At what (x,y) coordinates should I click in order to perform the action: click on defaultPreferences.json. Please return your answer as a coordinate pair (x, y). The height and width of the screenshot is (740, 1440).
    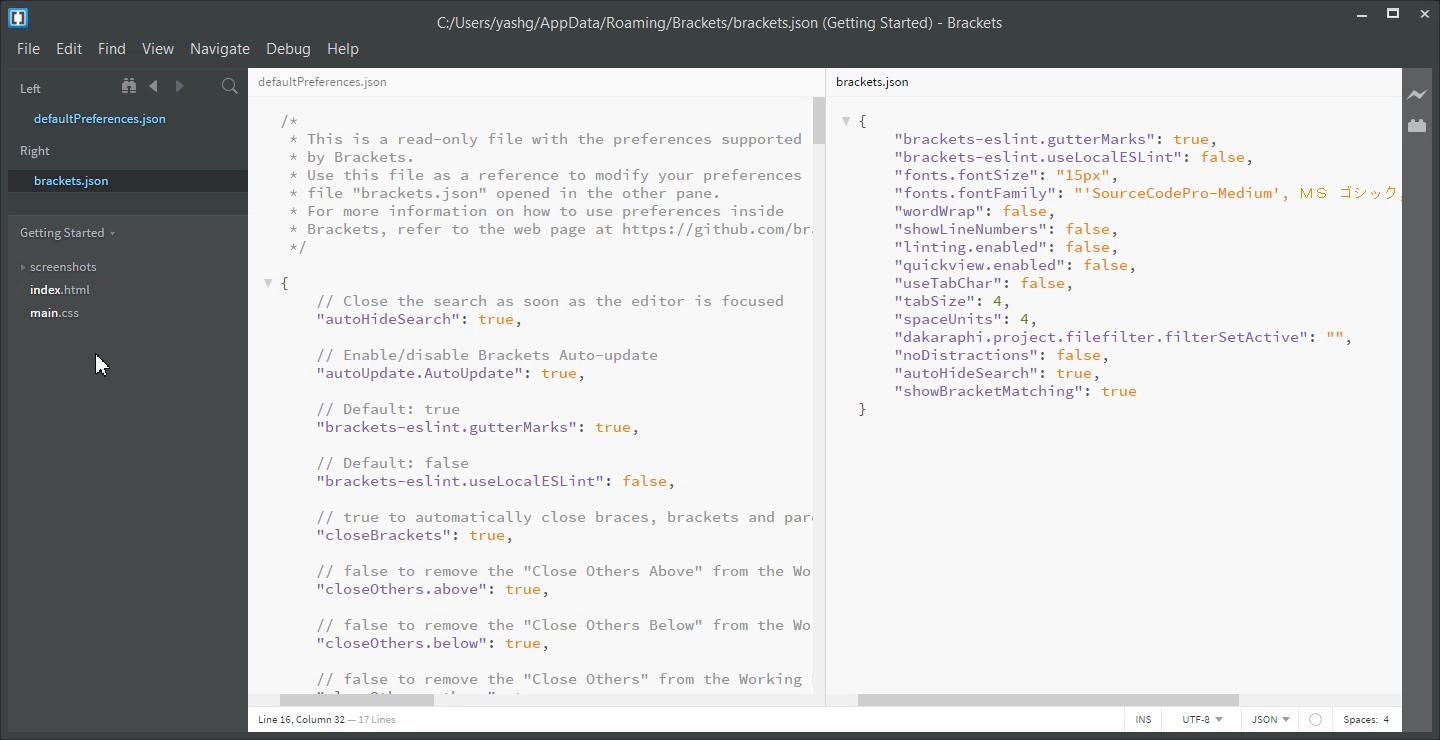
    Looking at the image, I should click on (328, 81).